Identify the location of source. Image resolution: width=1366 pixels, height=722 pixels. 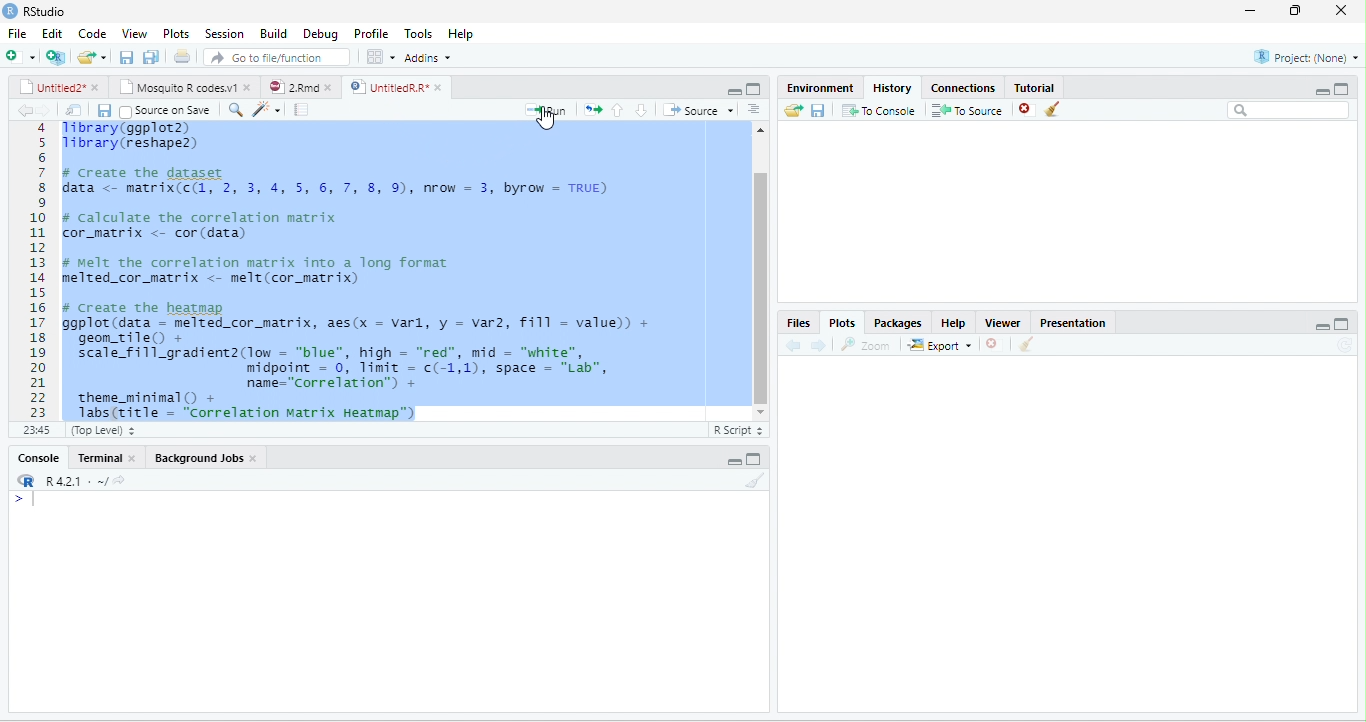
(701, 110).